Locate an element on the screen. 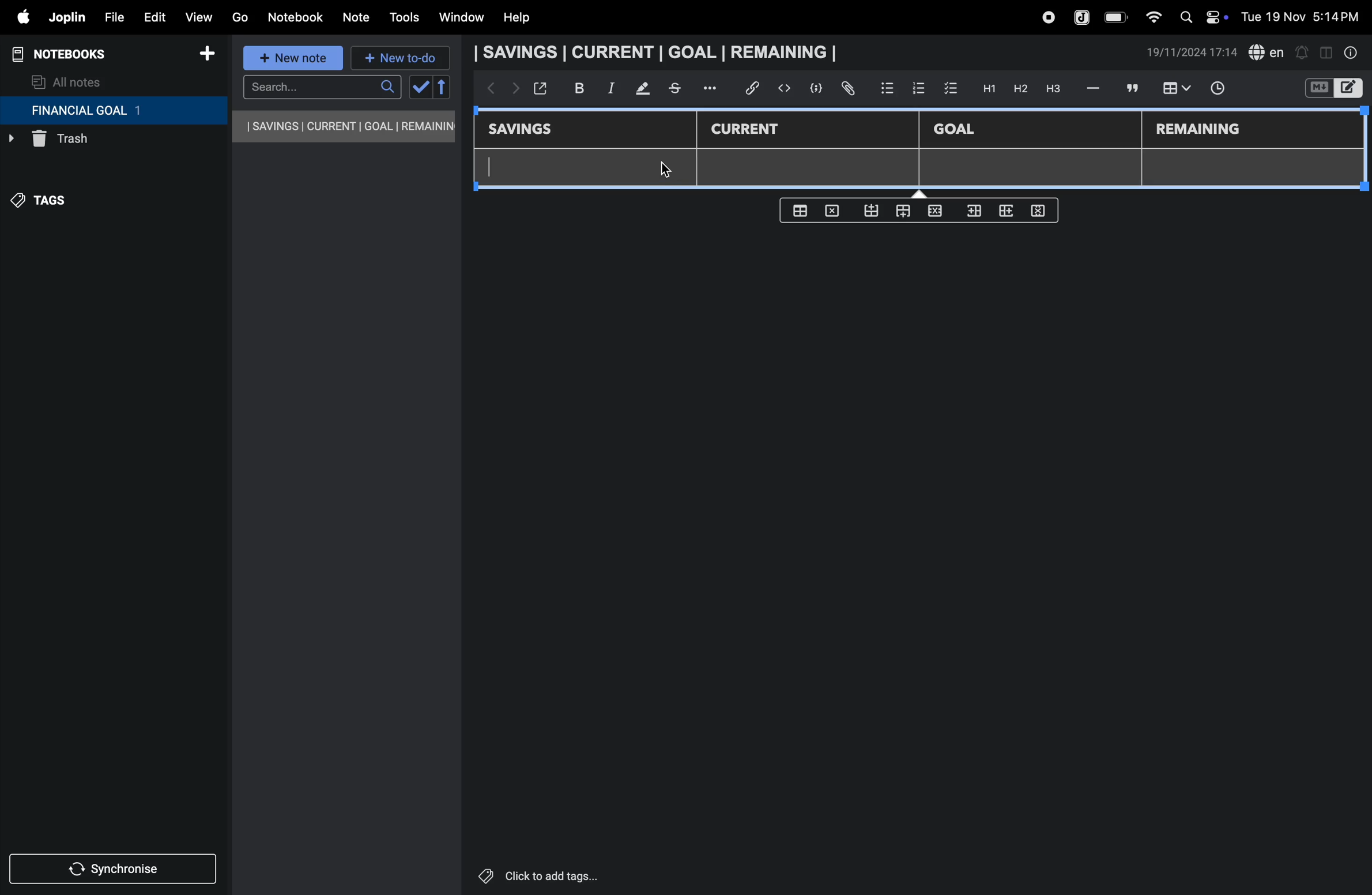 The height and width of the screenshot is (895, 1372). hifen is located at coordinates (1095, 88).